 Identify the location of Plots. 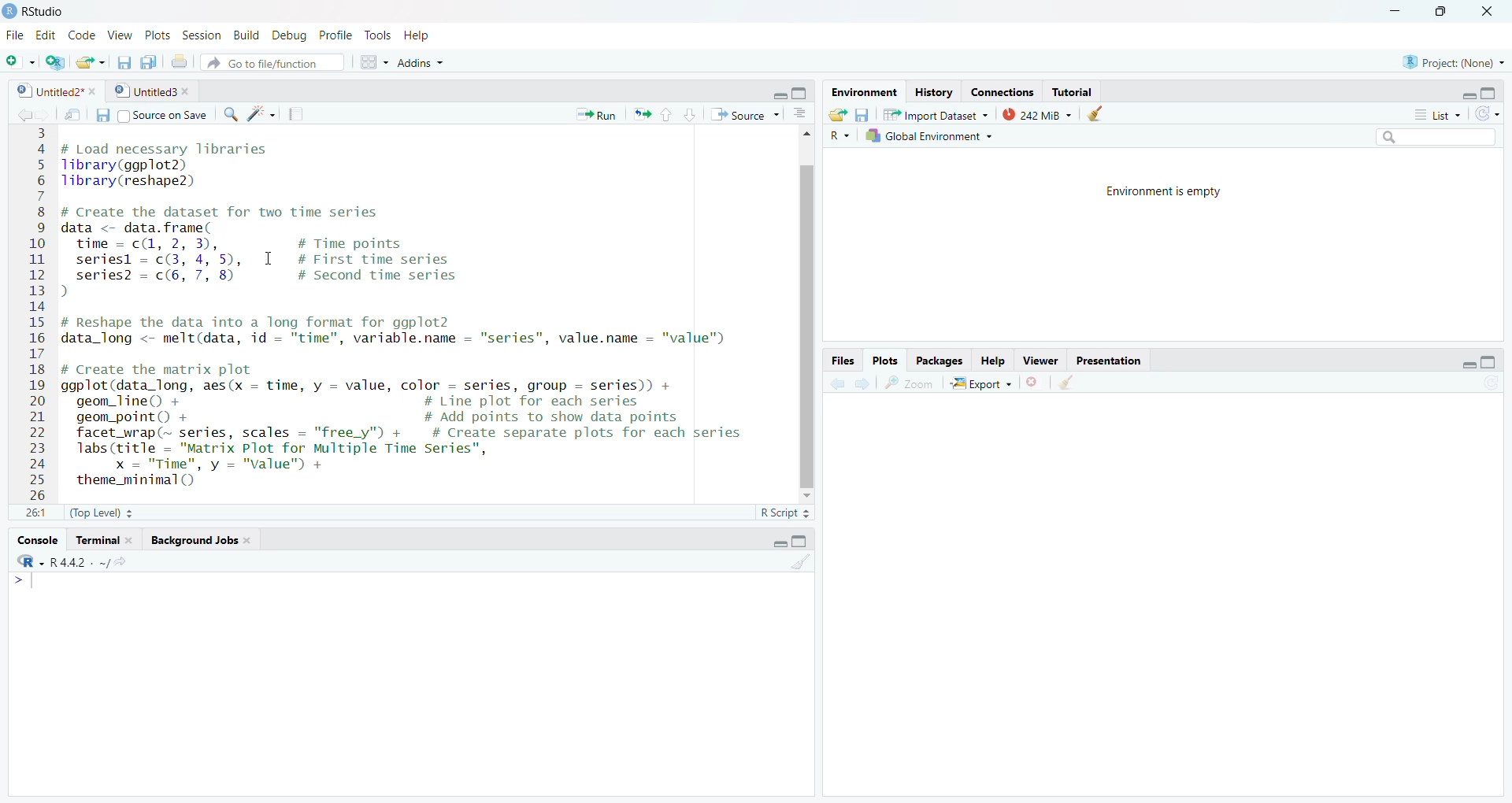
(159, 35).